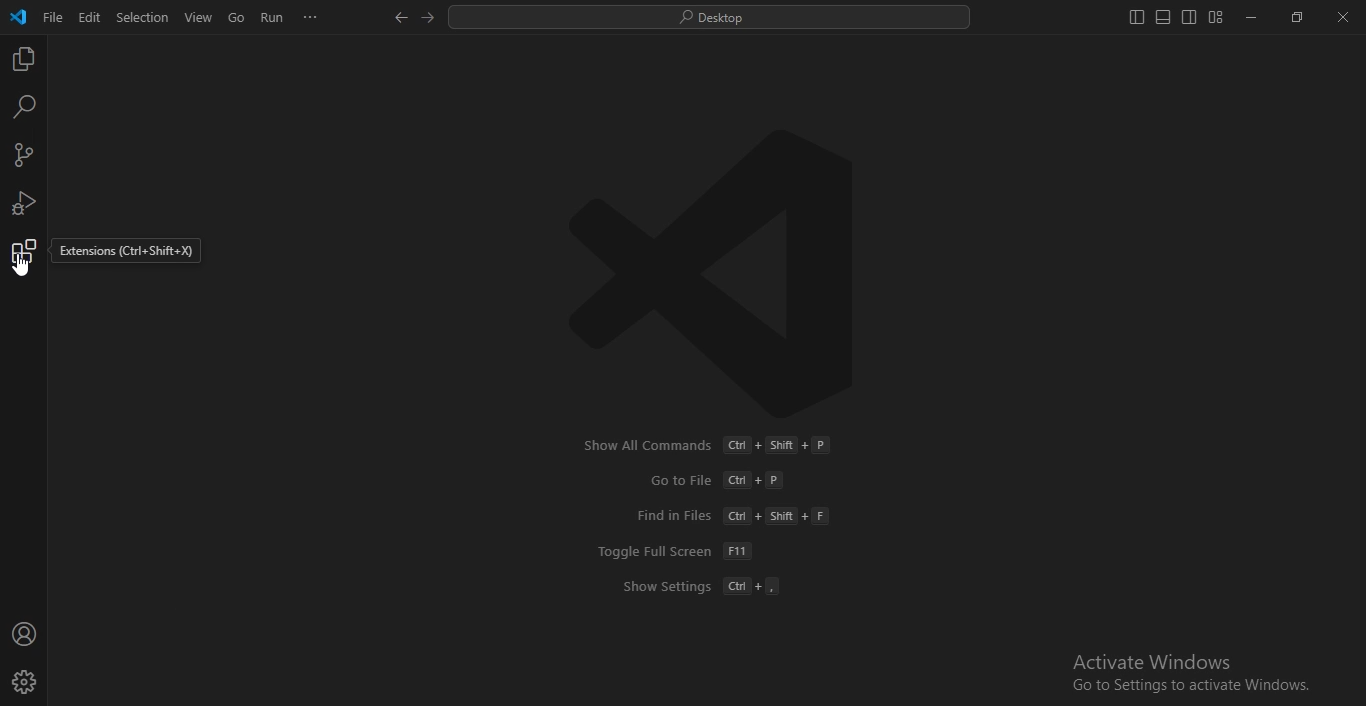  I want to click on search, so click(22, 107).